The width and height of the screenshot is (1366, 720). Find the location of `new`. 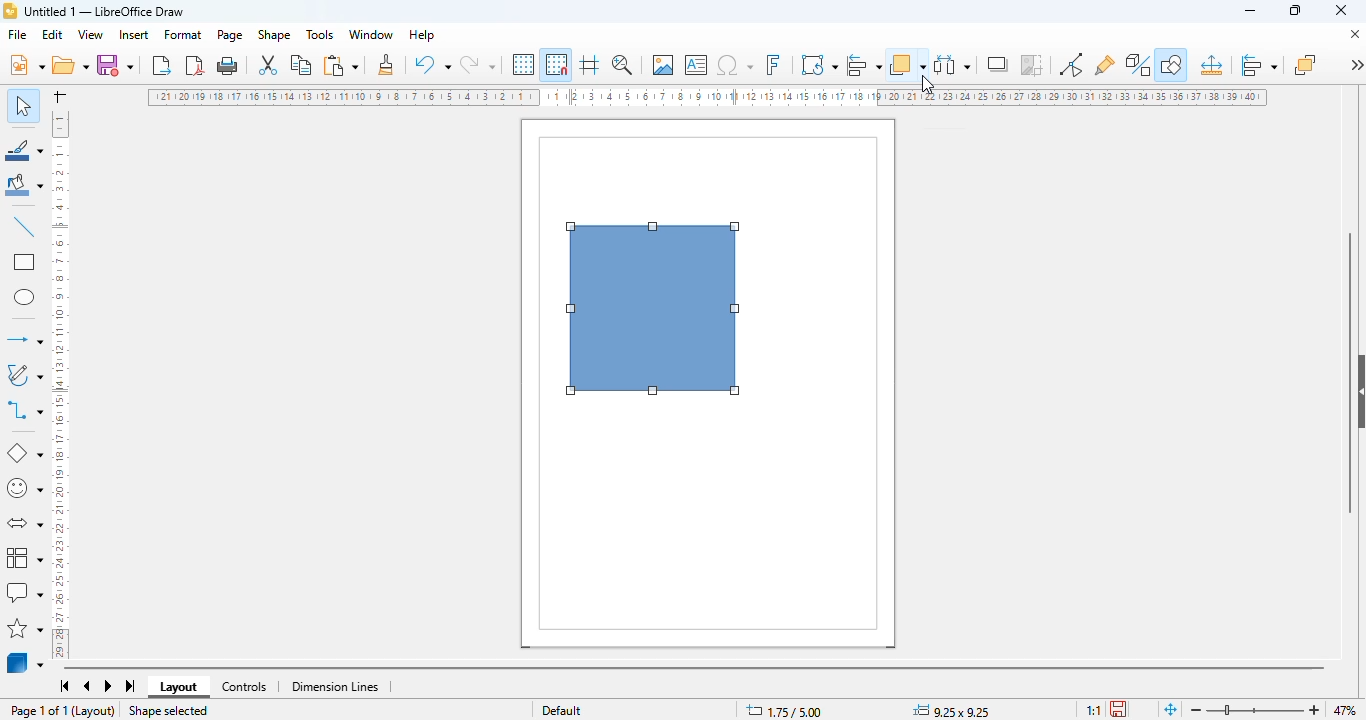

new is located at coordinates (26, 64).